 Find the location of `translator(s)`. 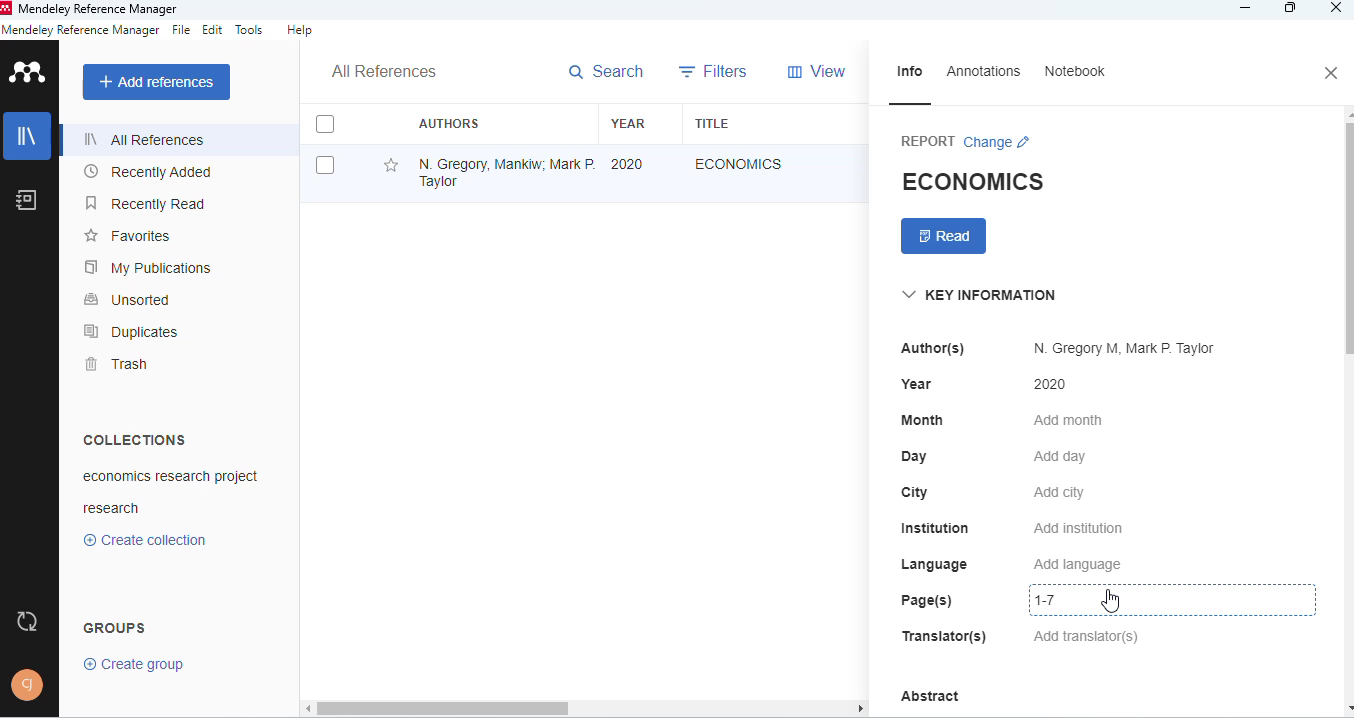

translator(s) is located at coordinates (944, 635).